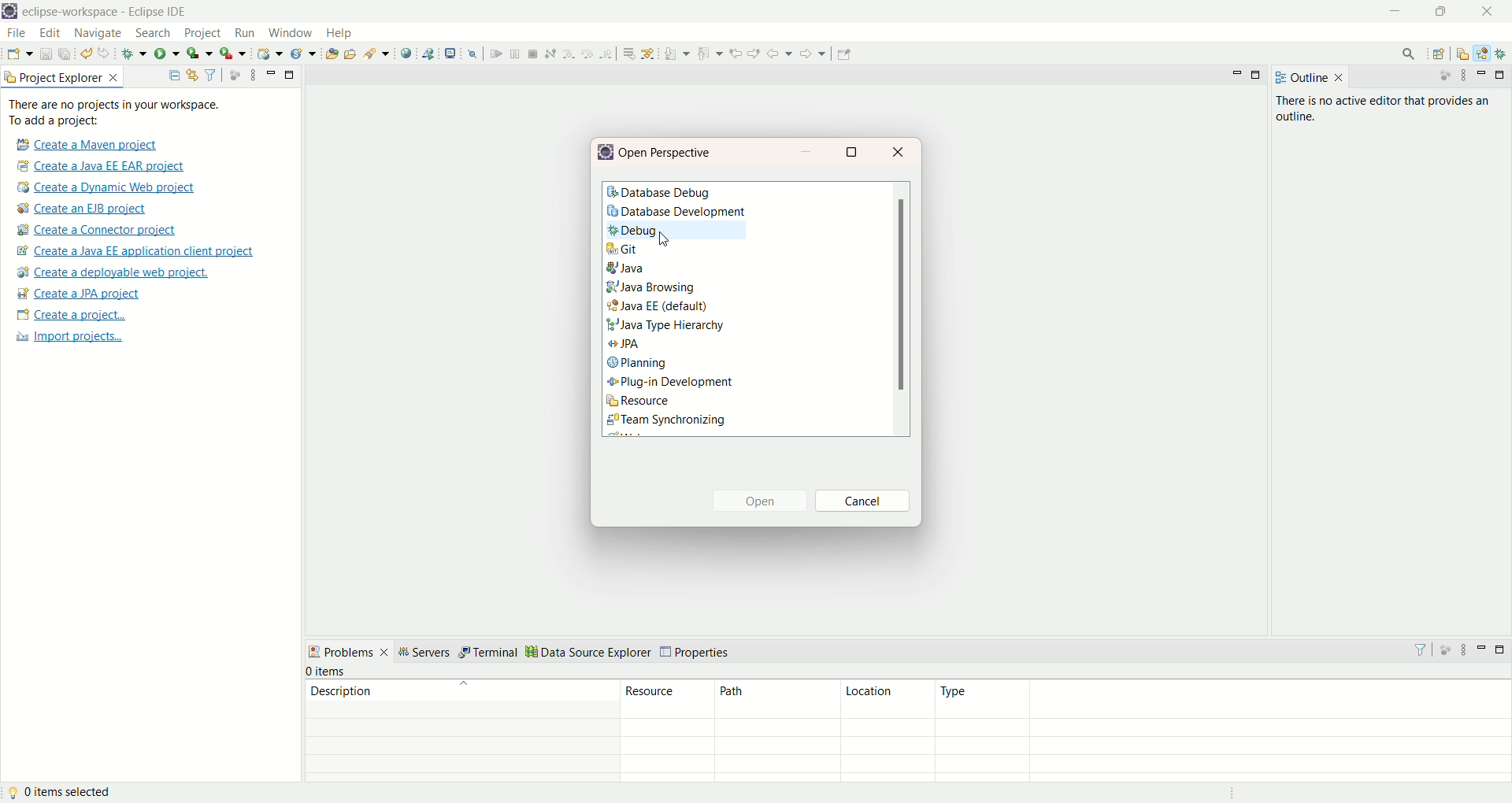 The width and height of the screenshot is (1512, 803). What do you see at coordinates (533, 53) in the screenshot?
I see `terminate` at bounding box center [533, 53].